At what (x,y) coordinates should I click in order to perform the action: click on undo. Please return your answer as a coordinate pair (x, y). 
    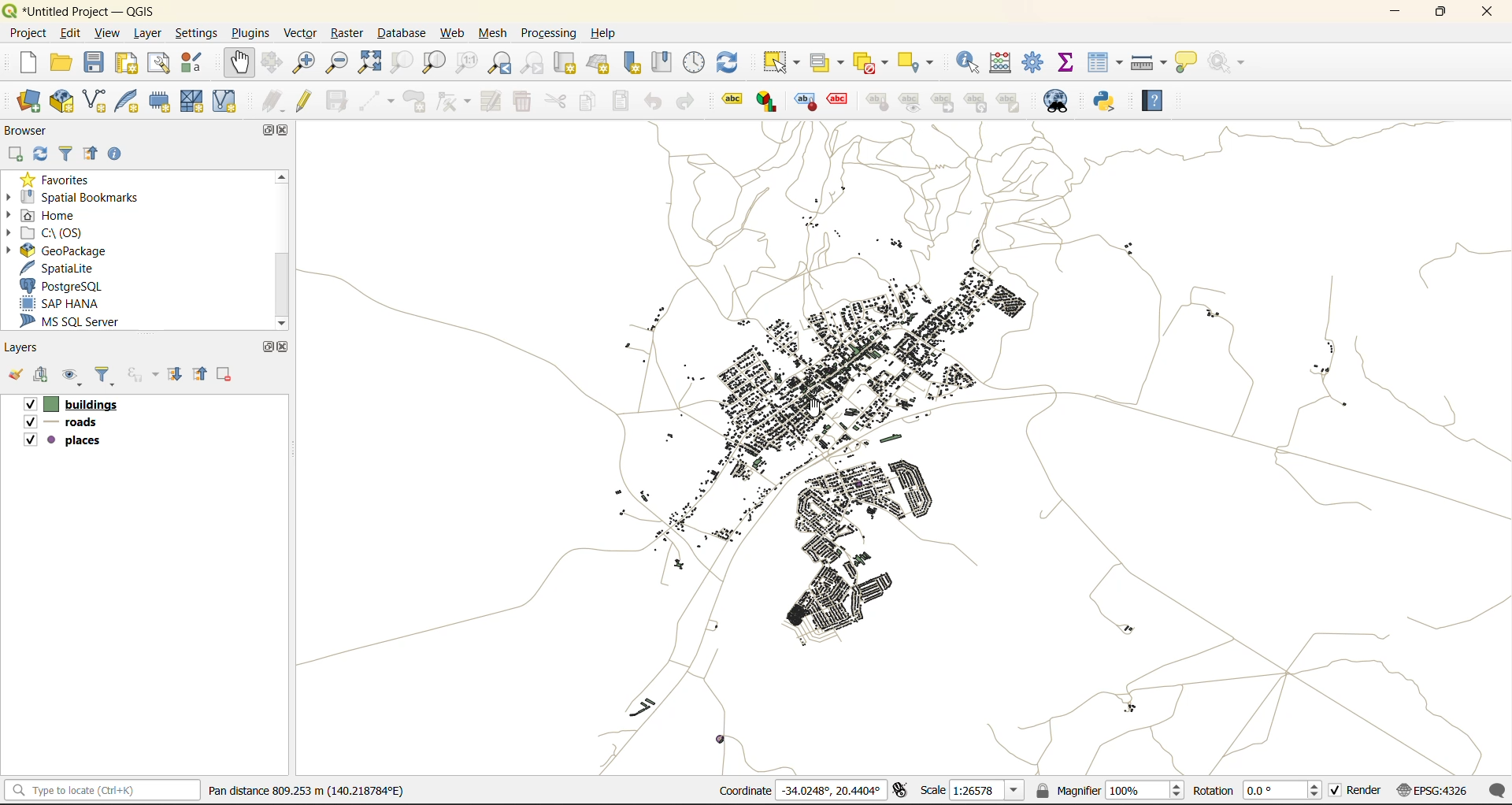
    Looking at the image, I should click on (654, 102).